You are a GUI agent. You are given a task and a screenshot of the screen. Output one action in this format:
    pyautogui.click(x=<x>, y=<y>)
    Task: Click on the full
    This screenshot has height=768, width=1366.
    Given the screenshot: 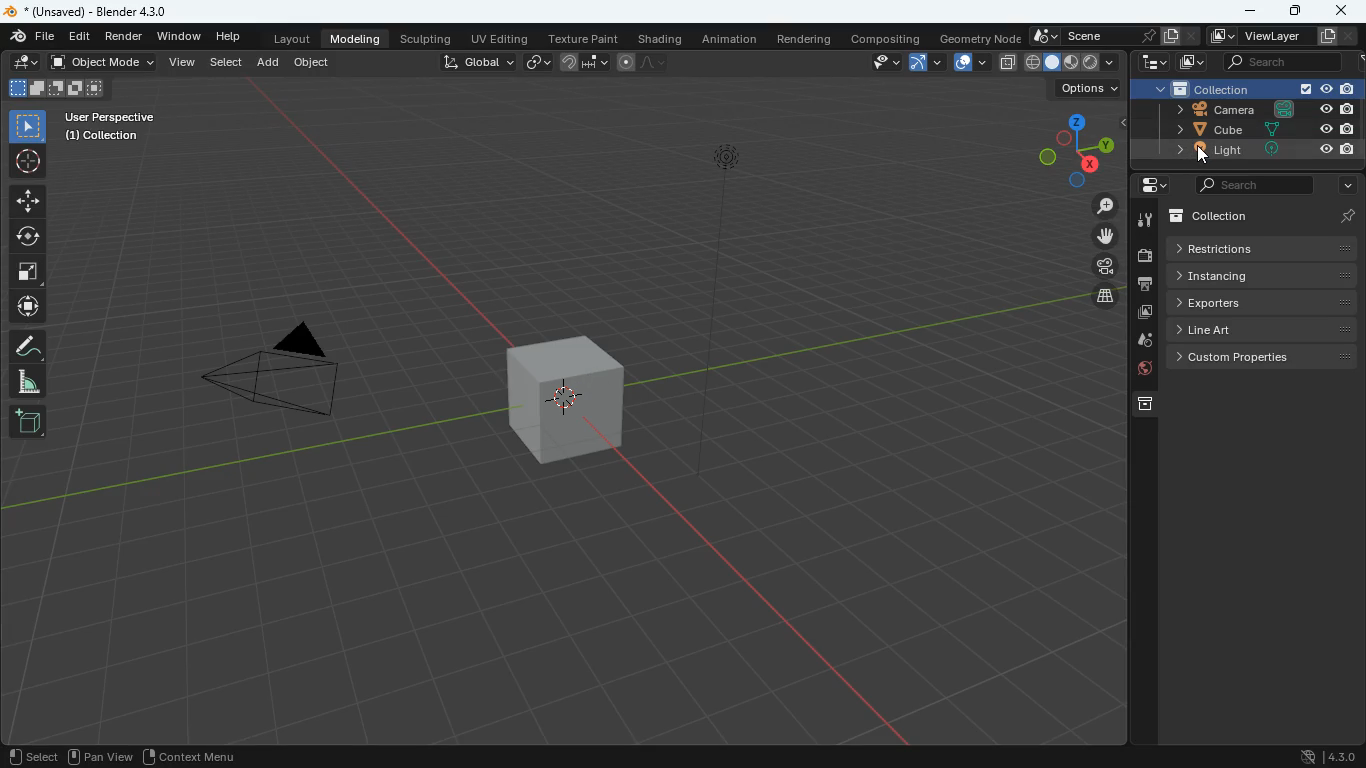 What is the action you would take?
    pyautogui.click(x=1050, y=63)
    